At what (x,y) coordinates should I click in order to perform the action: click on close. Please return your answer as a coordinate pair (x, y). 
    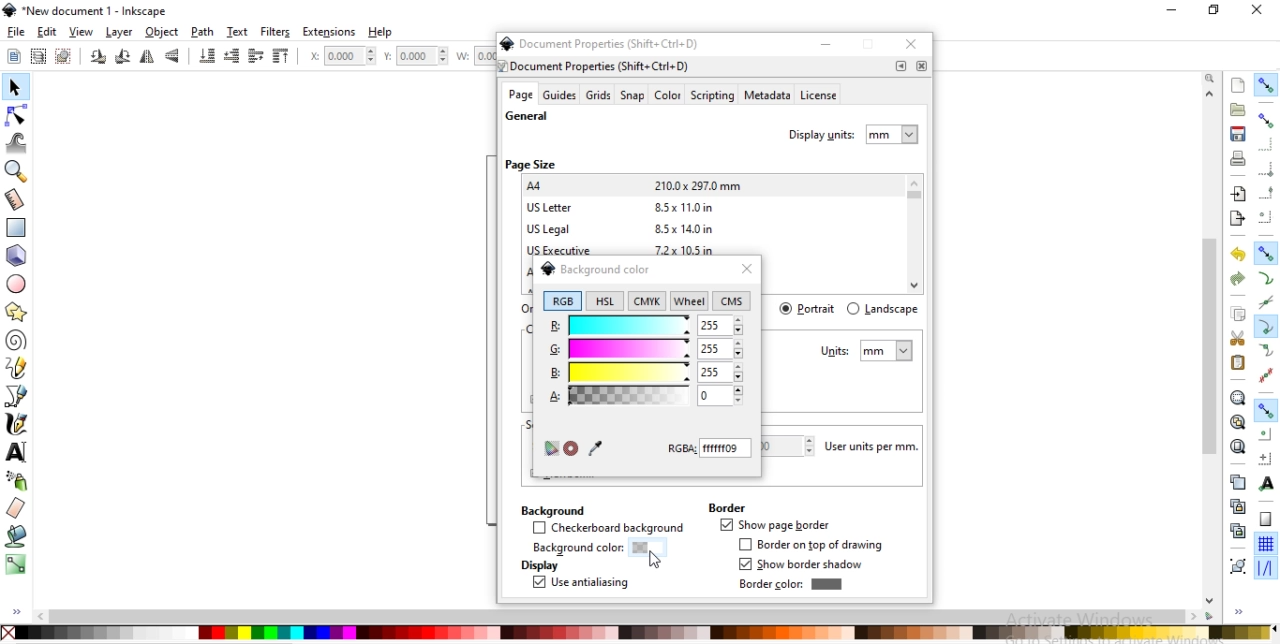
    Looking at the image, I should click on (921, 66).